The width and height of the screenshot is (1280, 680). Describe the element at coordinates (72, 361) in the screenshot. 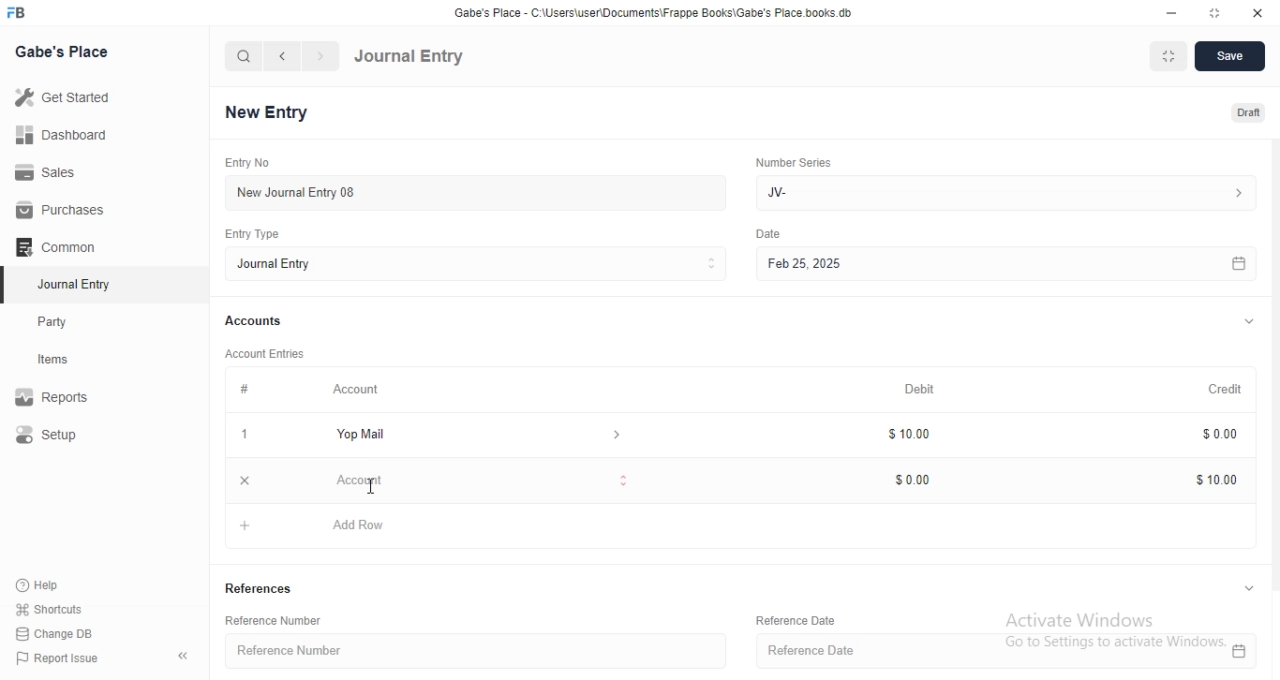

I see `Items` at that location.